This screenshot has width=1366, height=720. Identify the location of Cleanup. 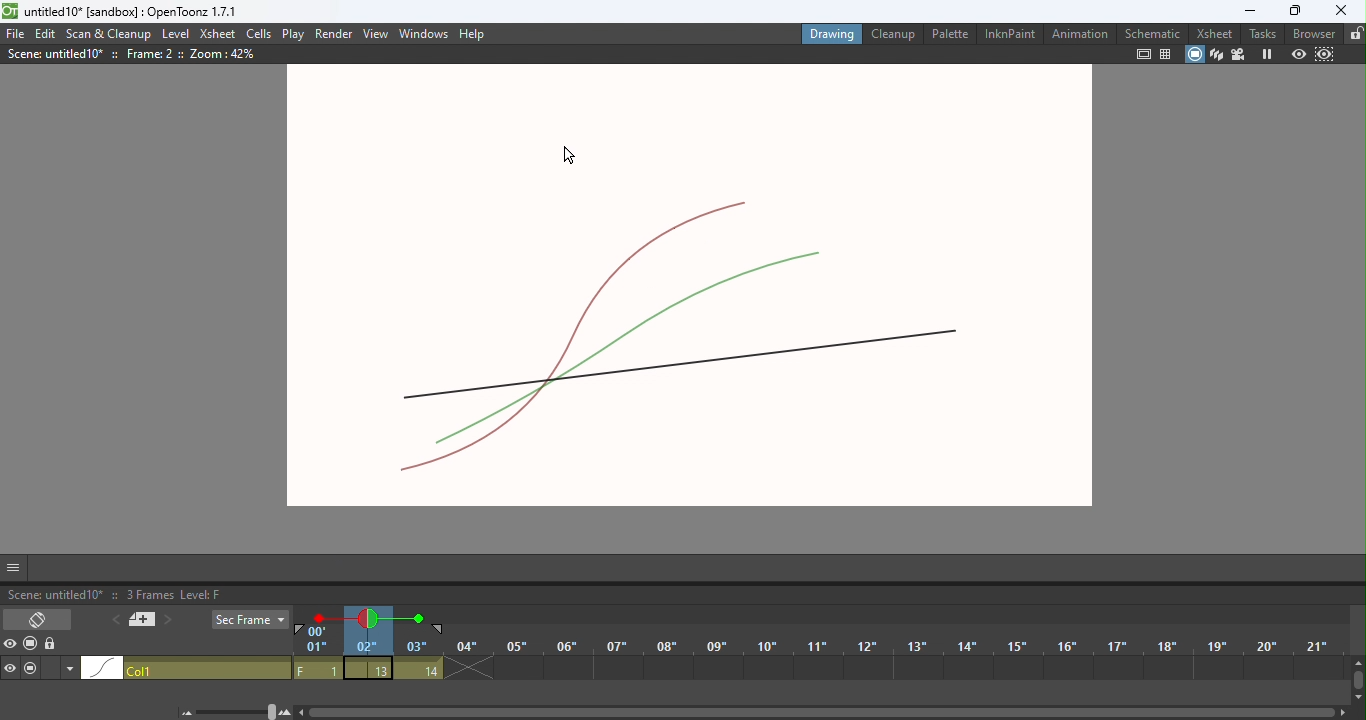
(894, 33).